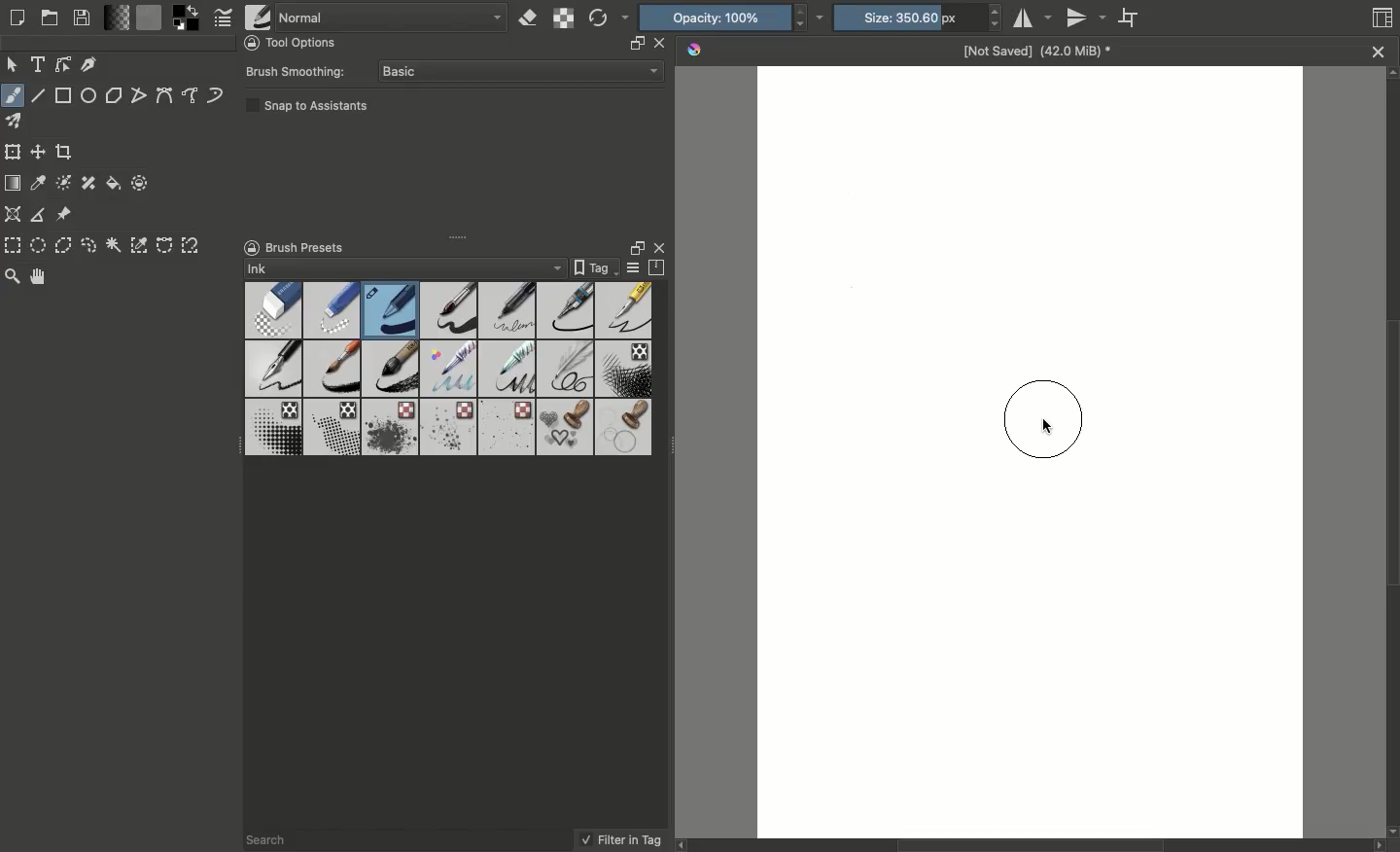  I want to click on Fill gradients, so click(118, 17).